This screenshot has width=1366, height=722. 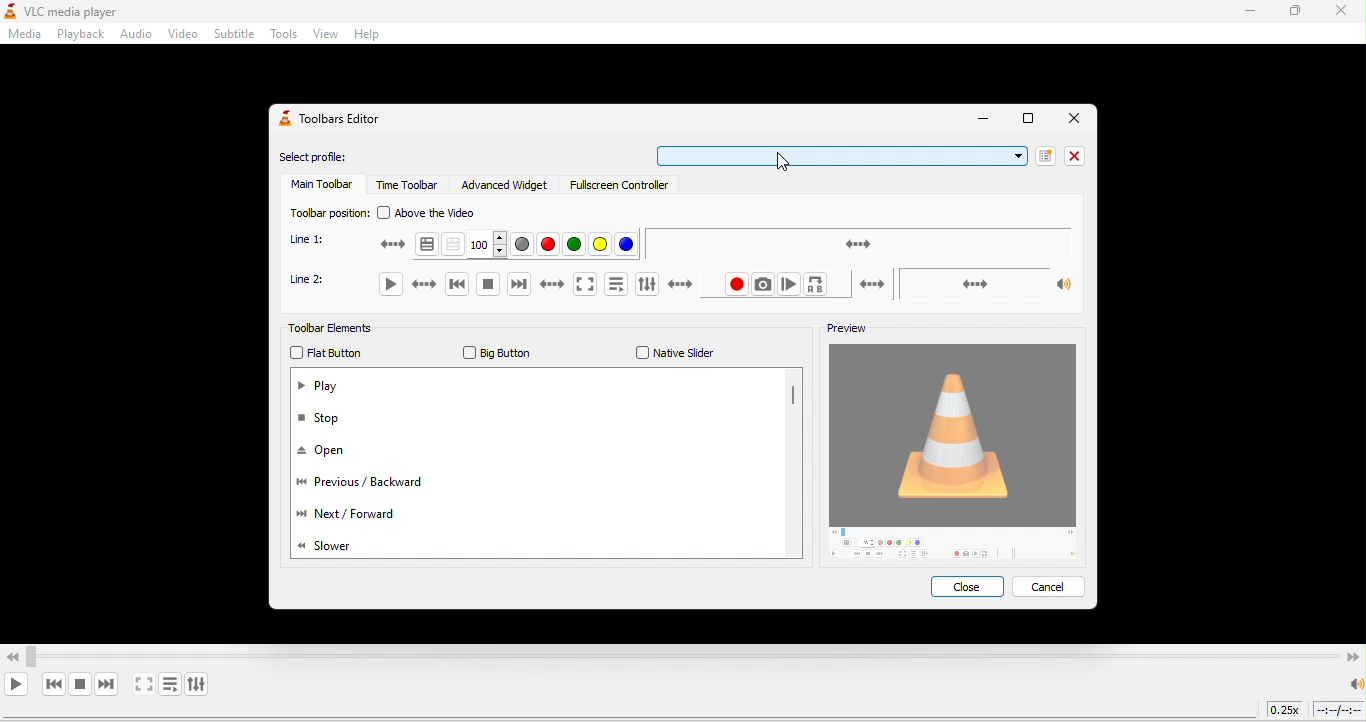 I want to click on subtitle, so click(x=234, y=35).